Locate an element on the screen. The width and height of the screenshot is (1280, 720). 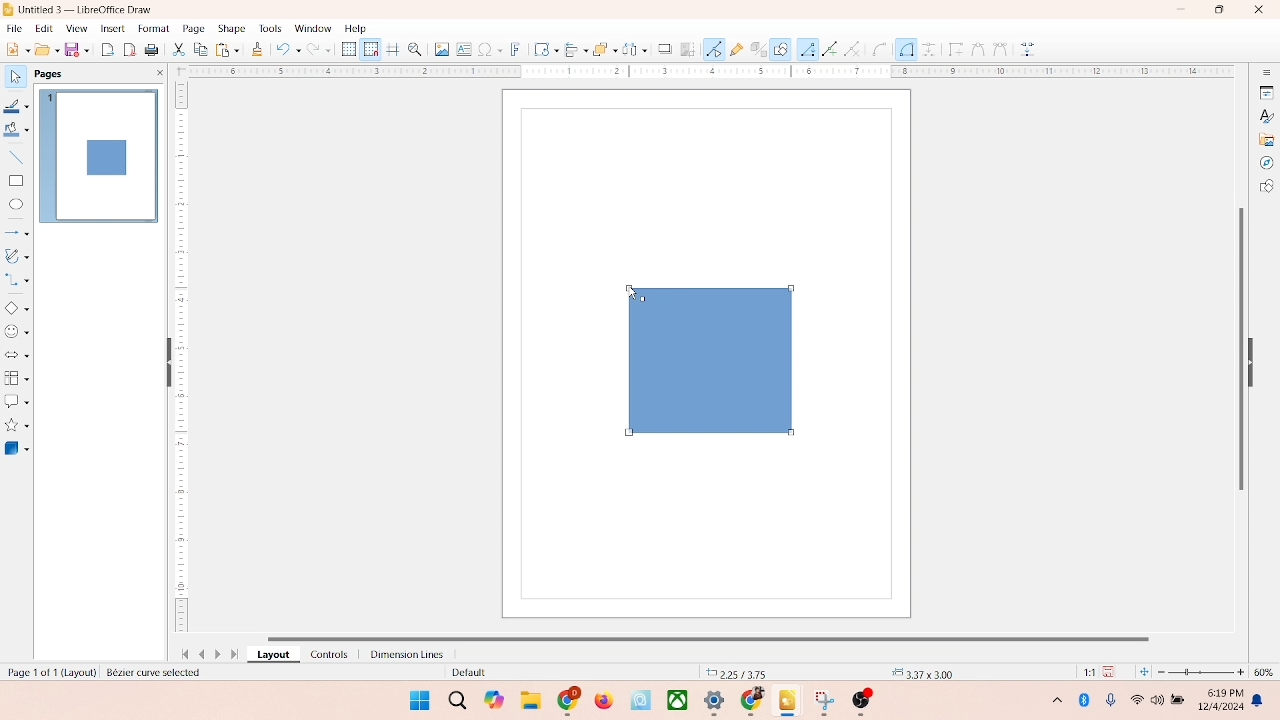
windows is located at coordinates (417, 700).